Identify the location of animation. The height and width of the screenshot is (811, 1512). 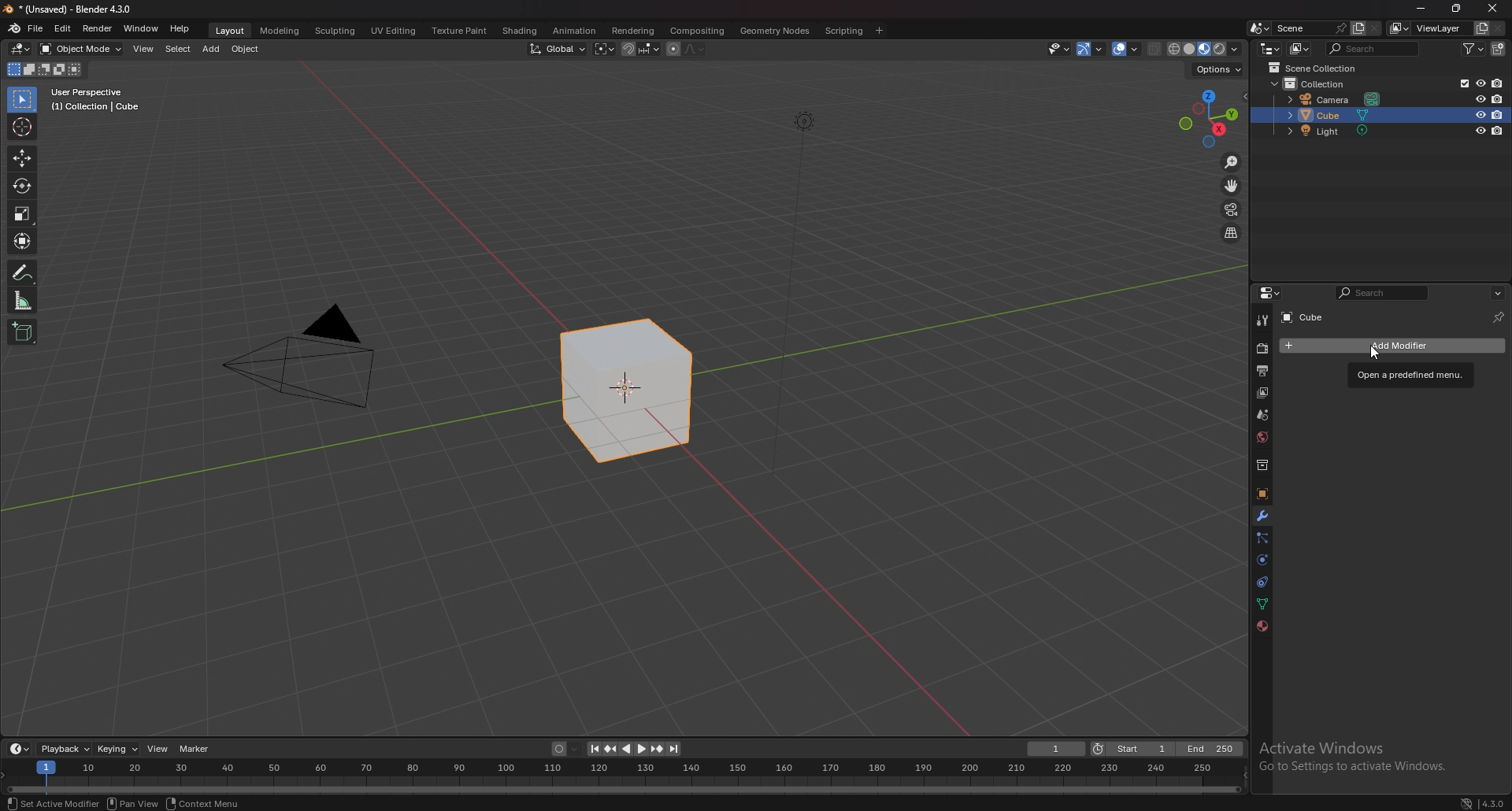
(578, 29).